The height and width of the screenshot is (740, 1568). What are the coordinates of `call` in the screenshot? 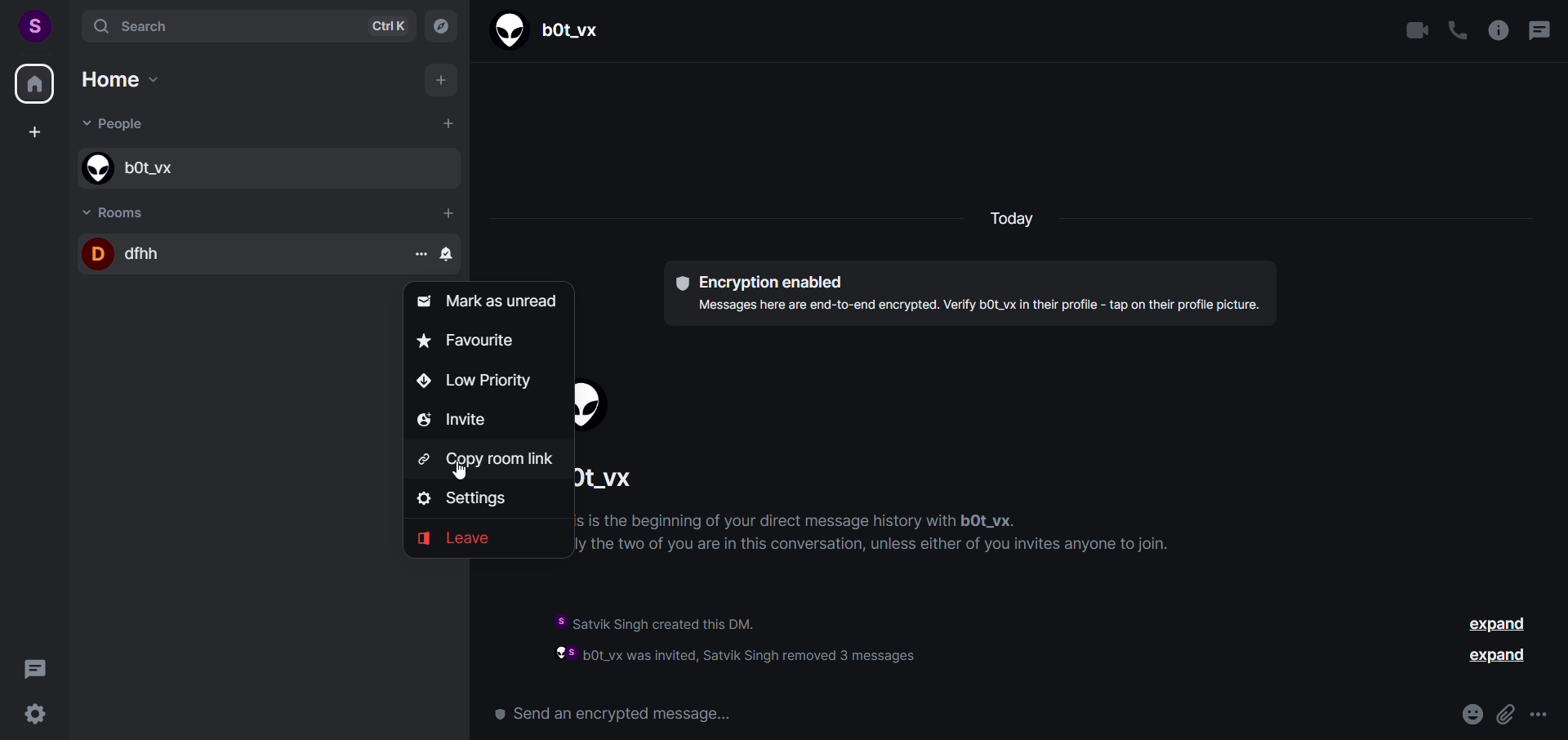 It's located at (1456, 32).